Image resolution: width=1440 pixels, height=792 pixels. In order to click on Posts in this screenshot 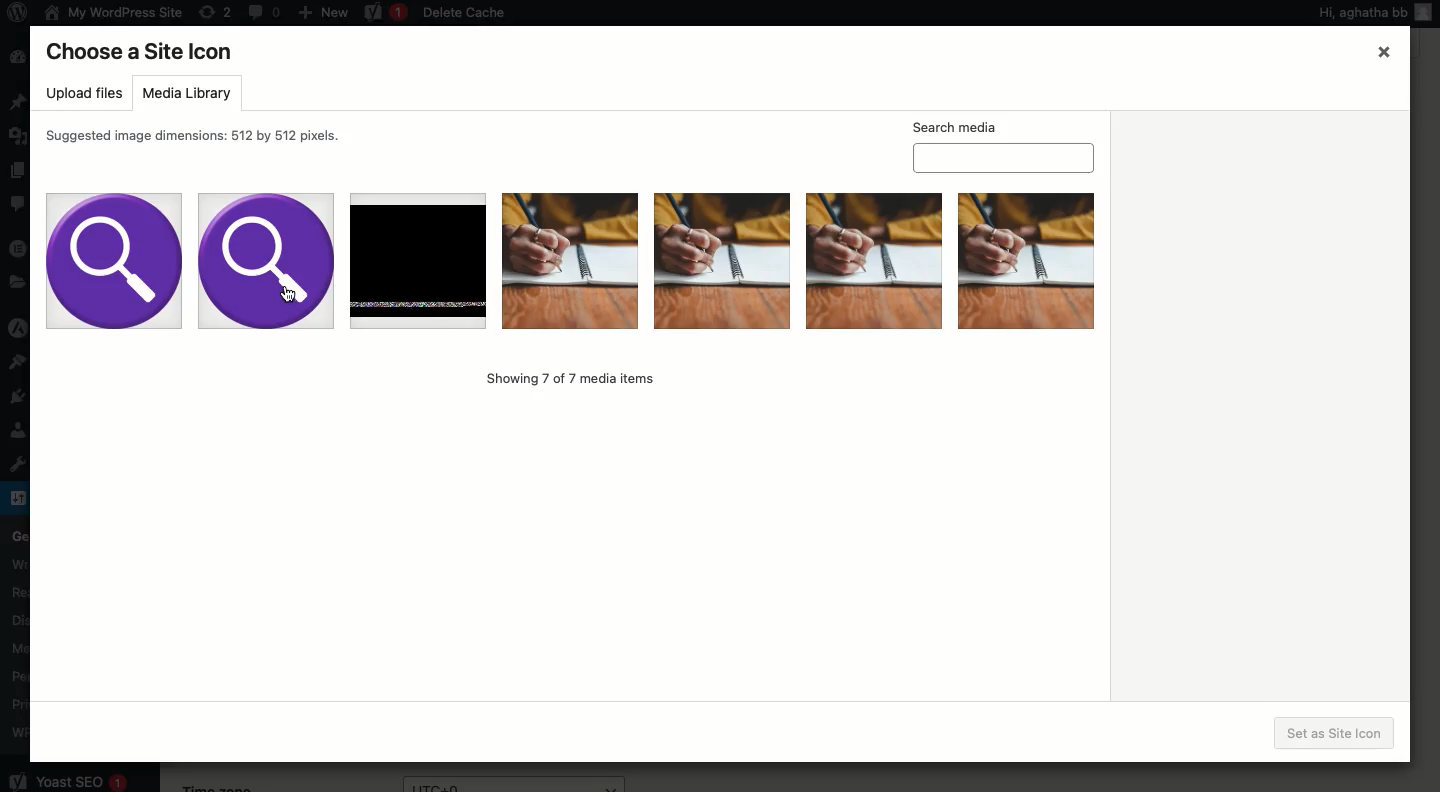, I will do `click(19, 103)`.